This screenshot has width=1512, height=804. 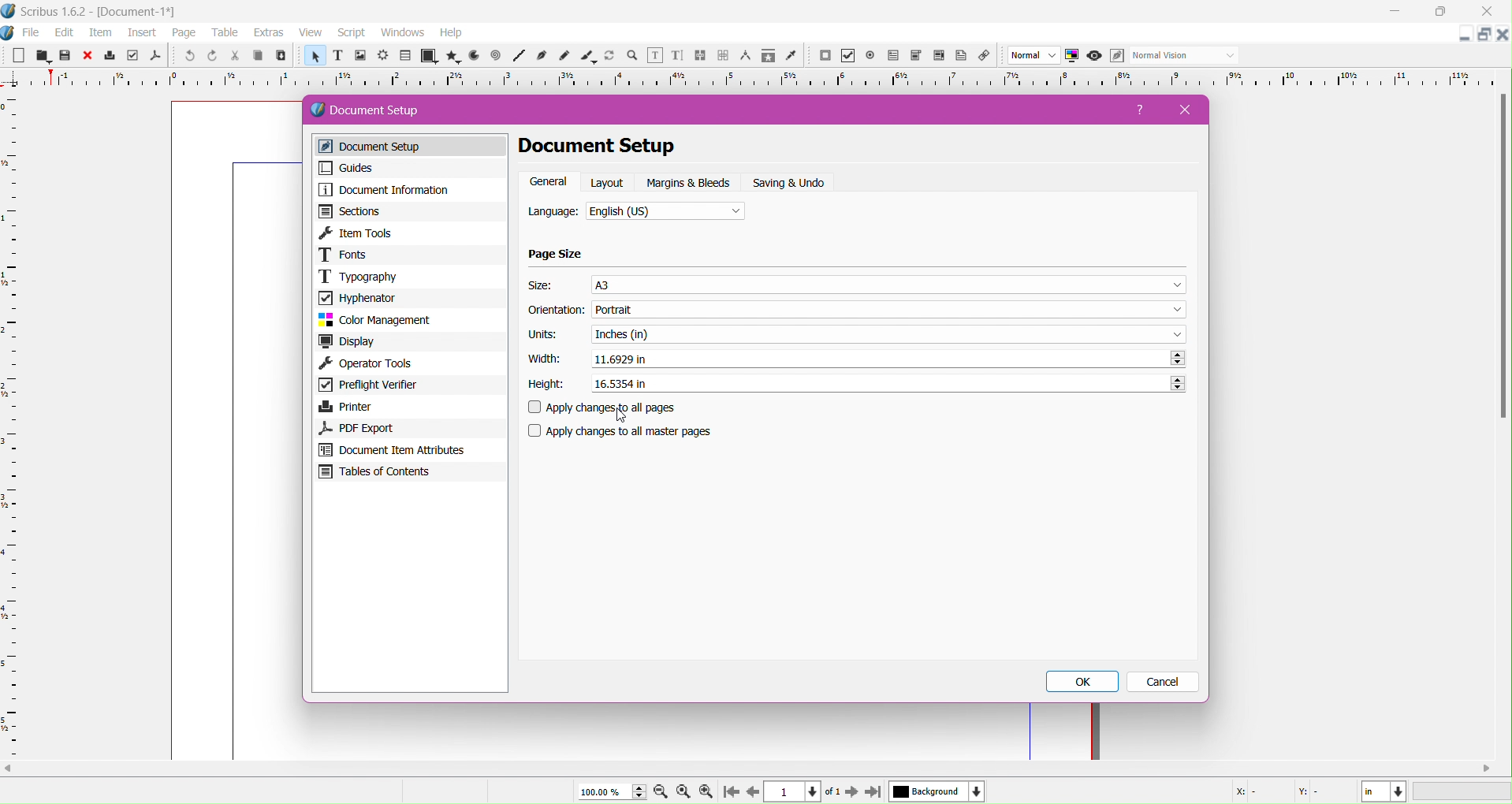 I want to click on windows menu, so click(x=402, y=33).